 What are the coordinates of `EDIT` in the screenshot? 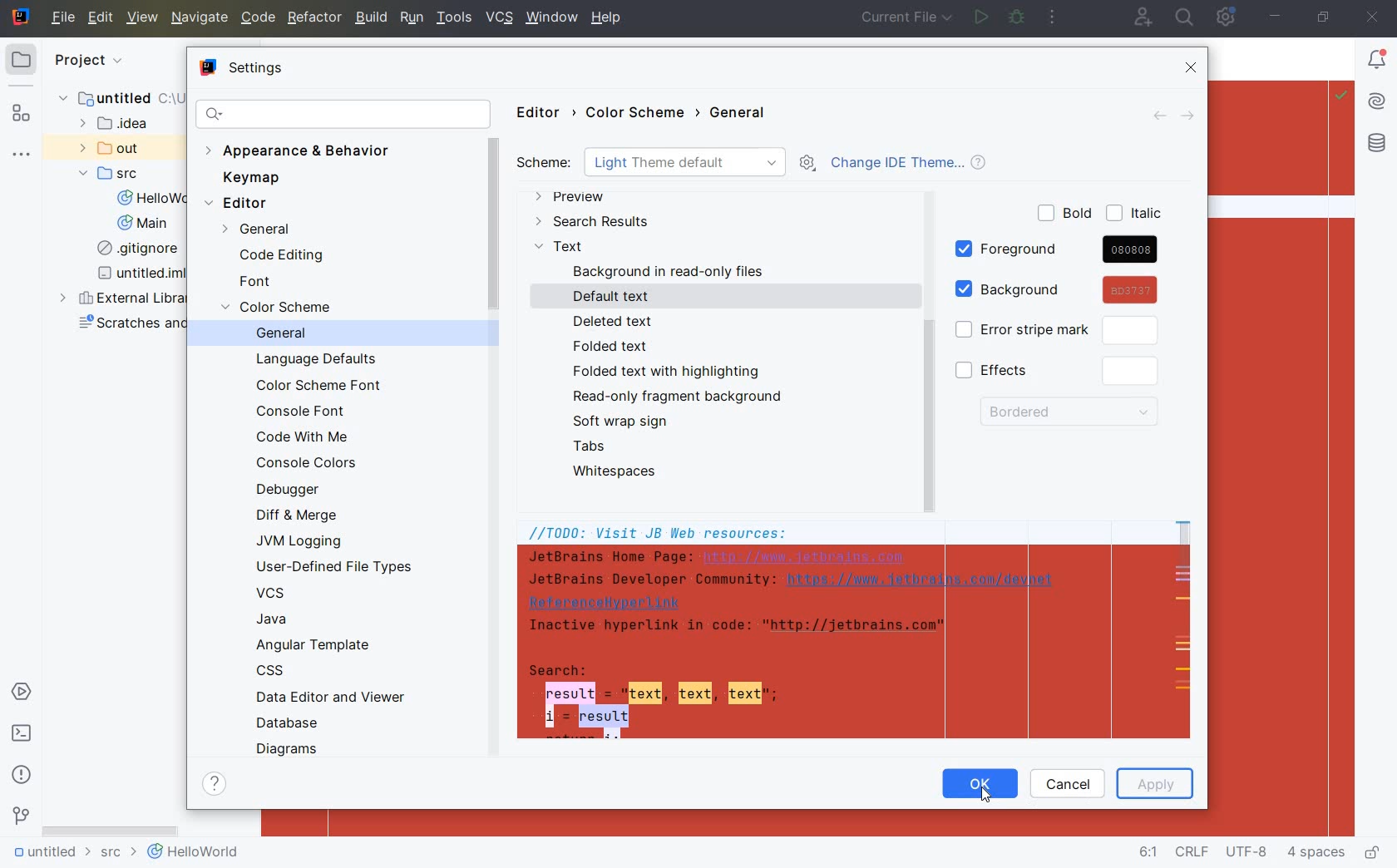 It's located at (103, 19).